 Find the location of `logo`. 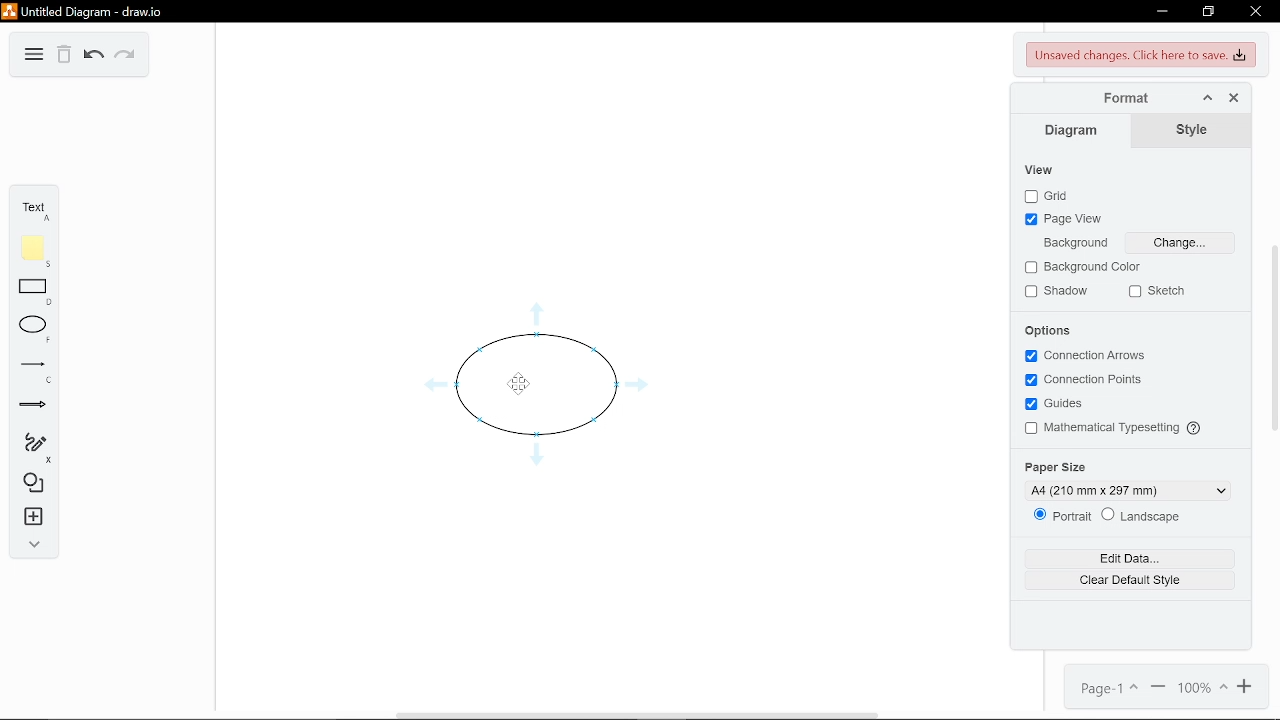

logo is located at coordinates (10, 11).